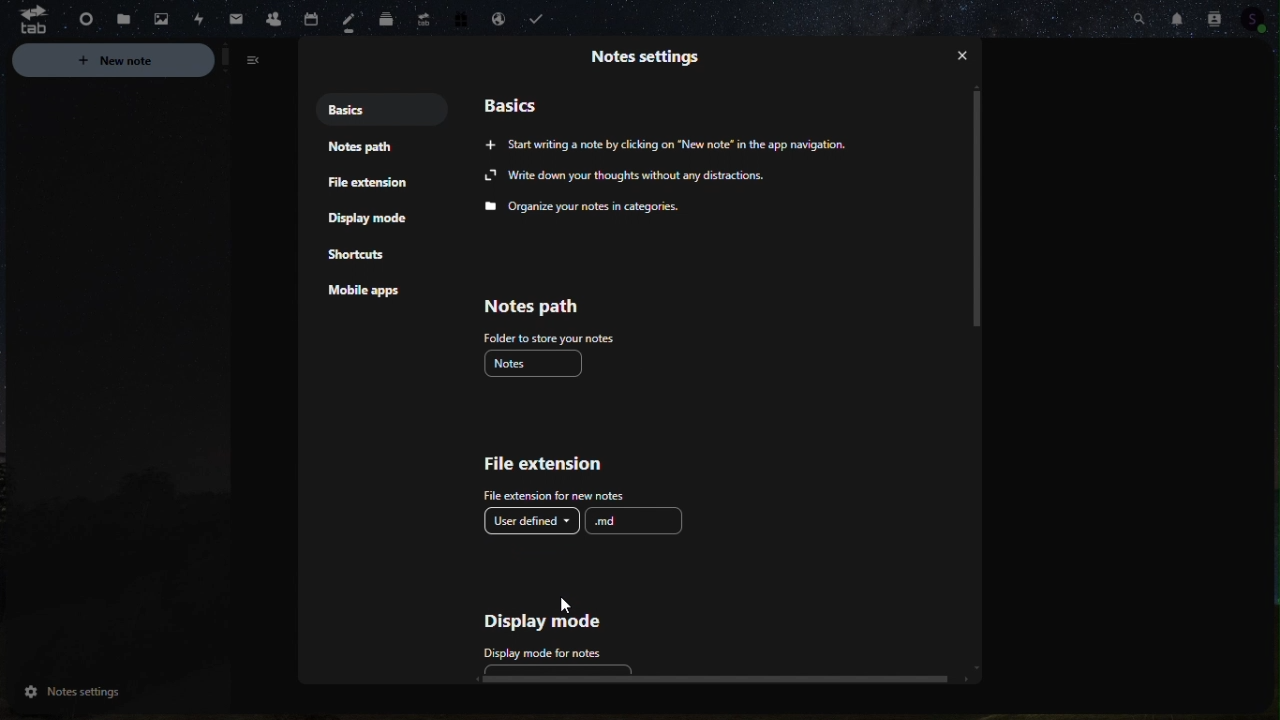  What do you see at coordinates (635, 193) in the screenshot?
I see `Text` at bounding box center [635, 193].